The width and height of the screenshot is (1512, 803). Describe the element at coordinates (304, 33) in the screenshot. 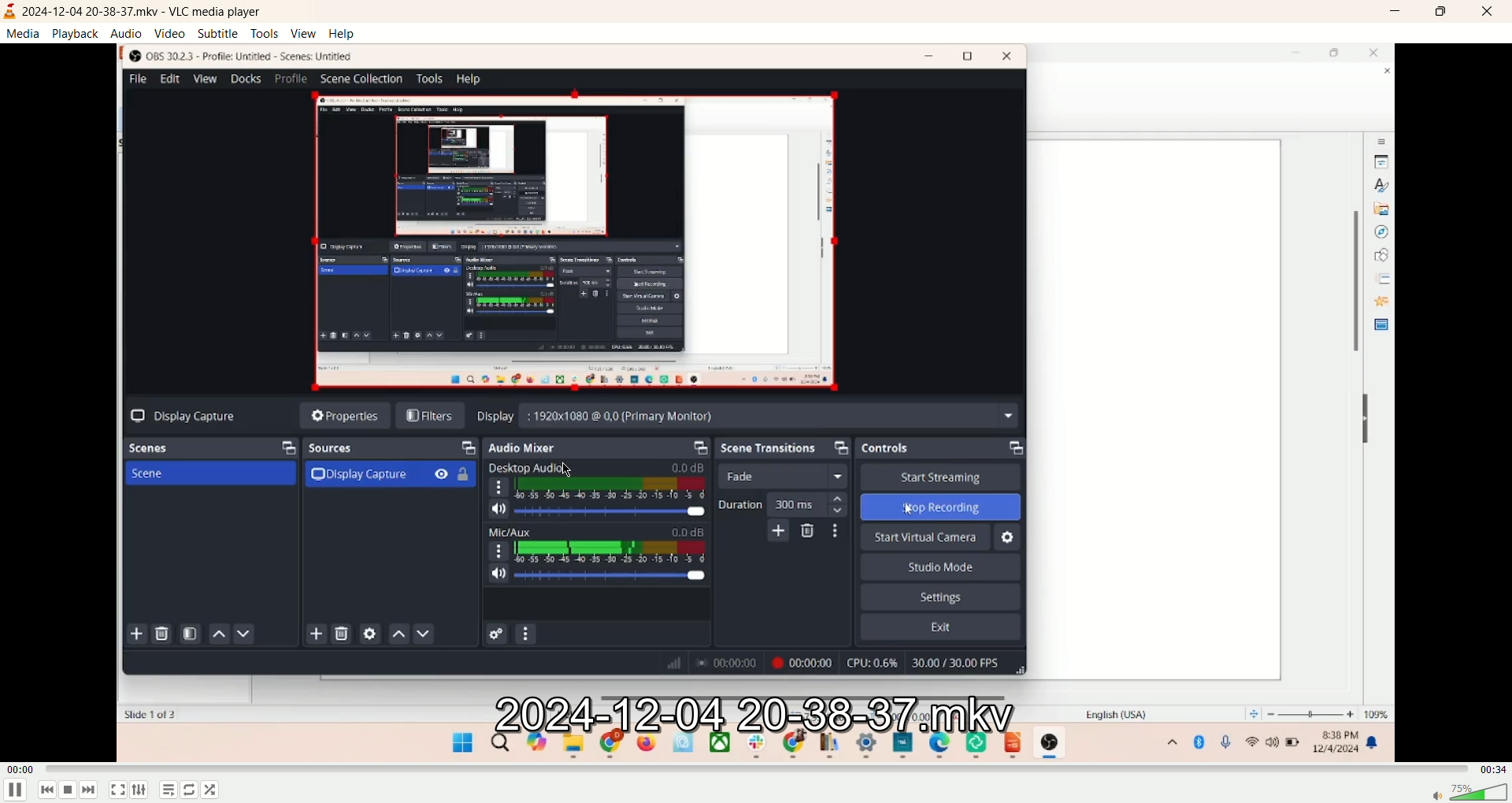

I see `view` at that location.